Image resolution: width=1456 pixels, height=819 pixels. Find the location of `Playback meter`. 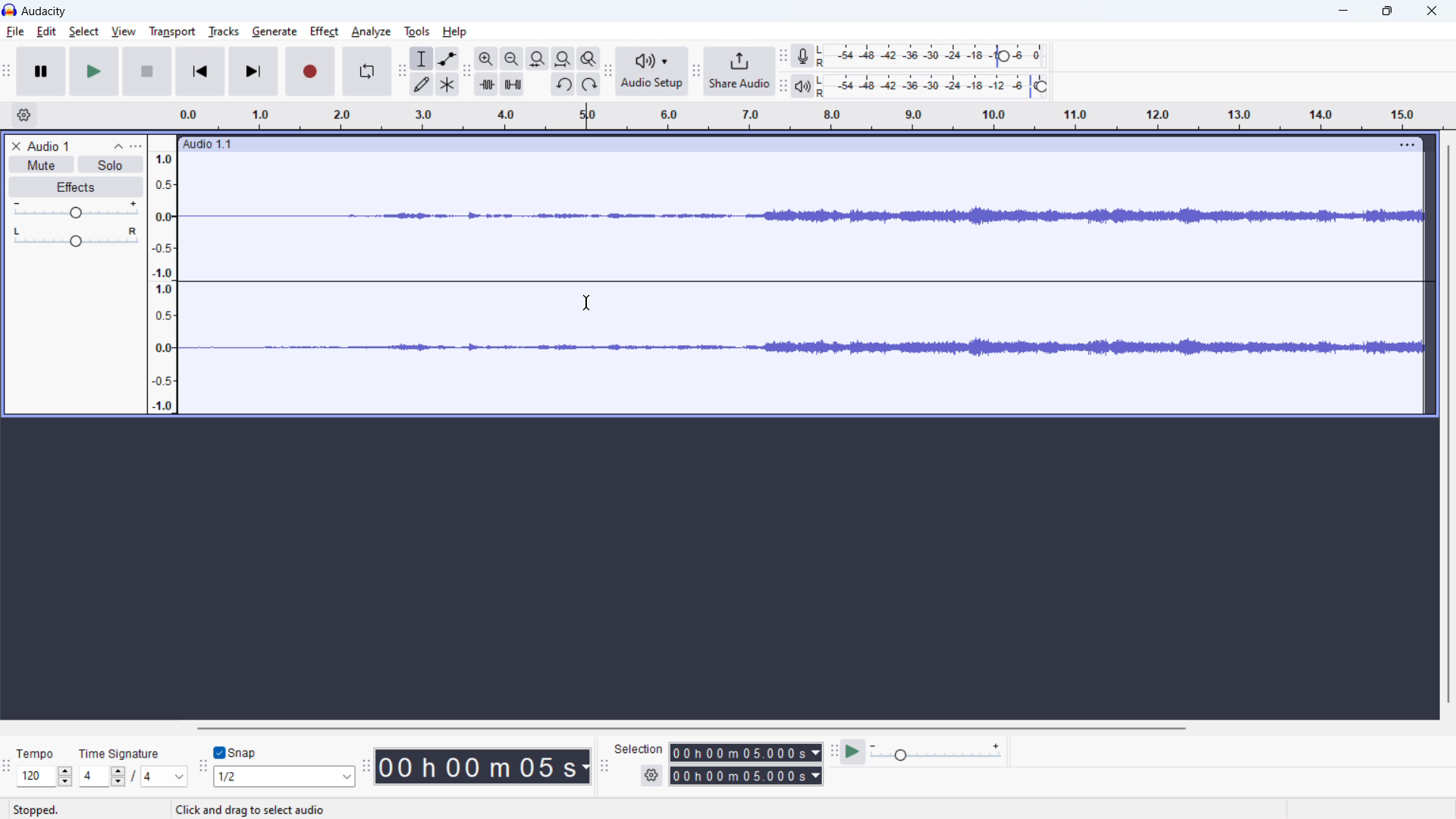

Playback meter is located at coordinates (805, 86).